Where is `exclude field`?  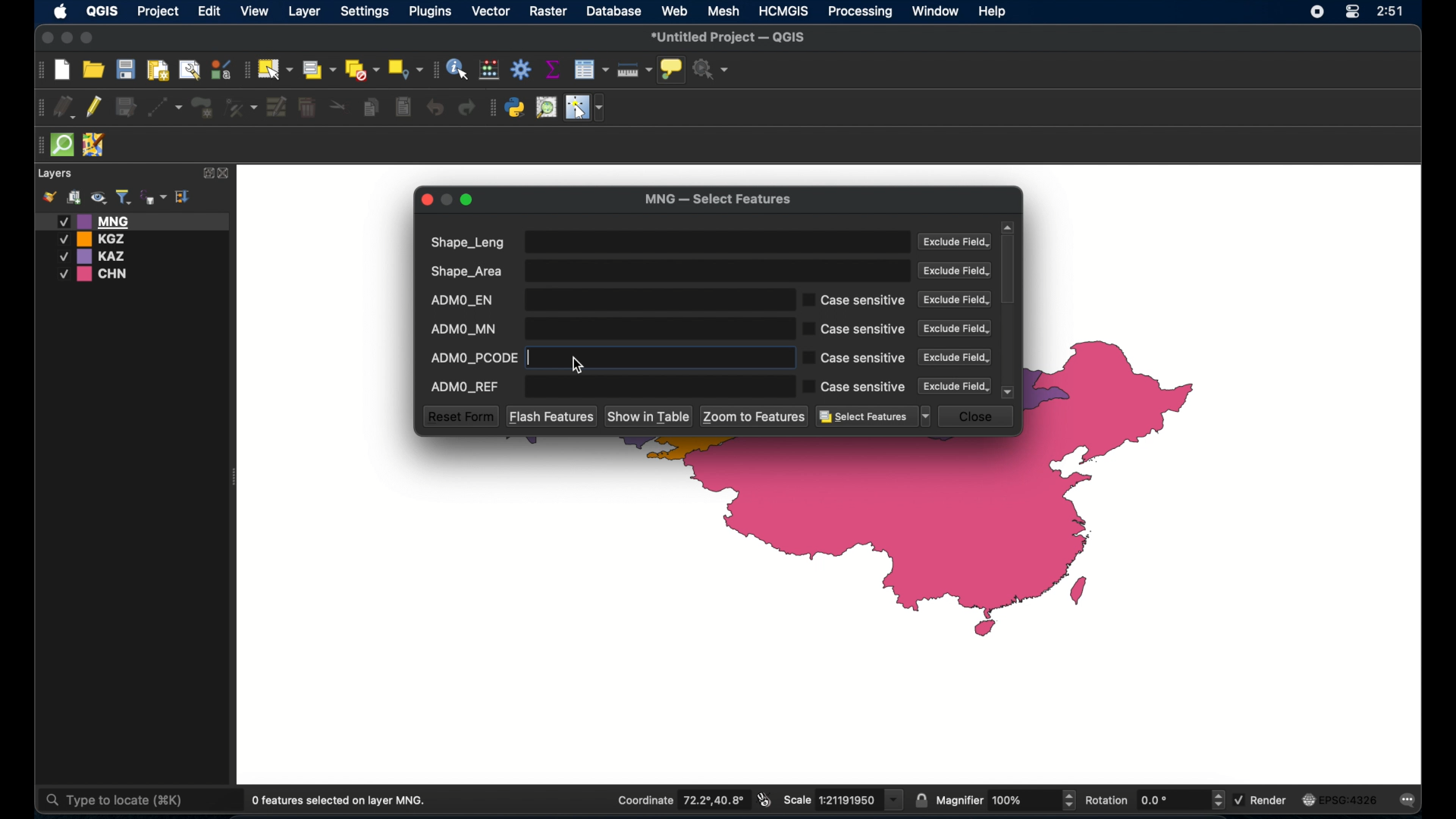
exclude field is located at coordinates (955, 328).